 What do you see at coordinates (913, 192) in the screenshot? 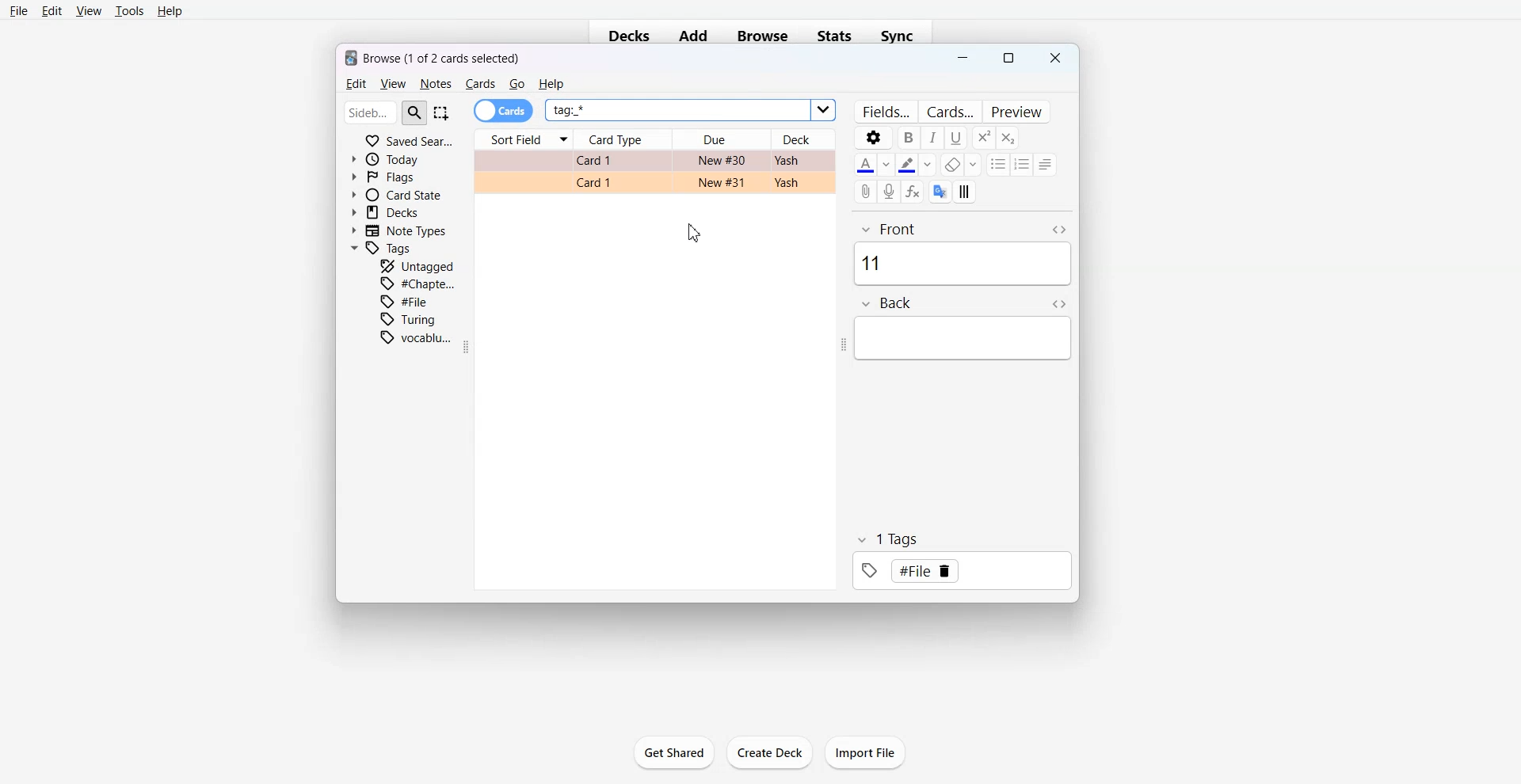
I see `Equation` at bounding box center [913, 192].